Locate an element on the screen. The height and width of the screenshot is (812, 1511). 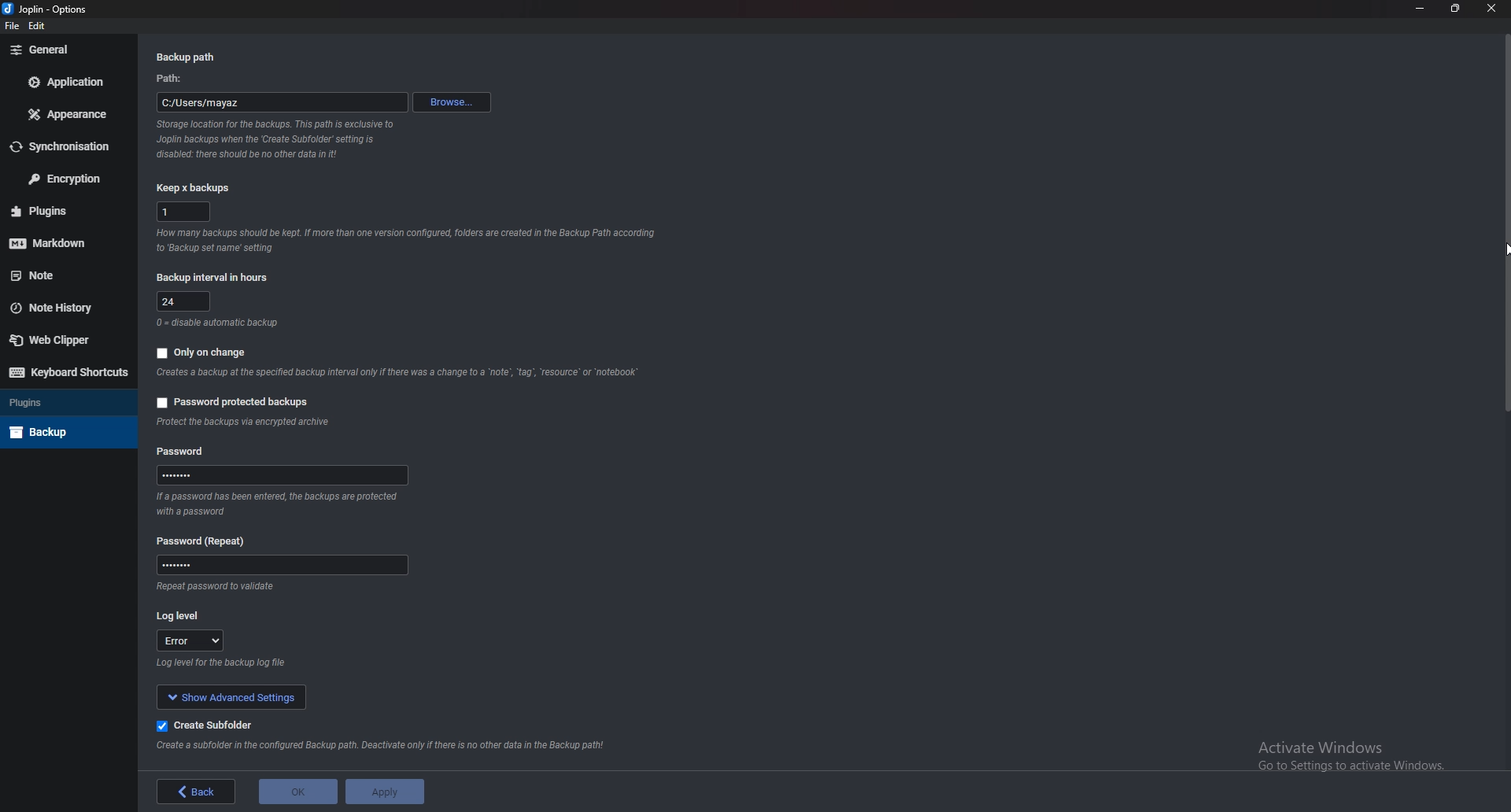
info is located at coordinates (277, 138).